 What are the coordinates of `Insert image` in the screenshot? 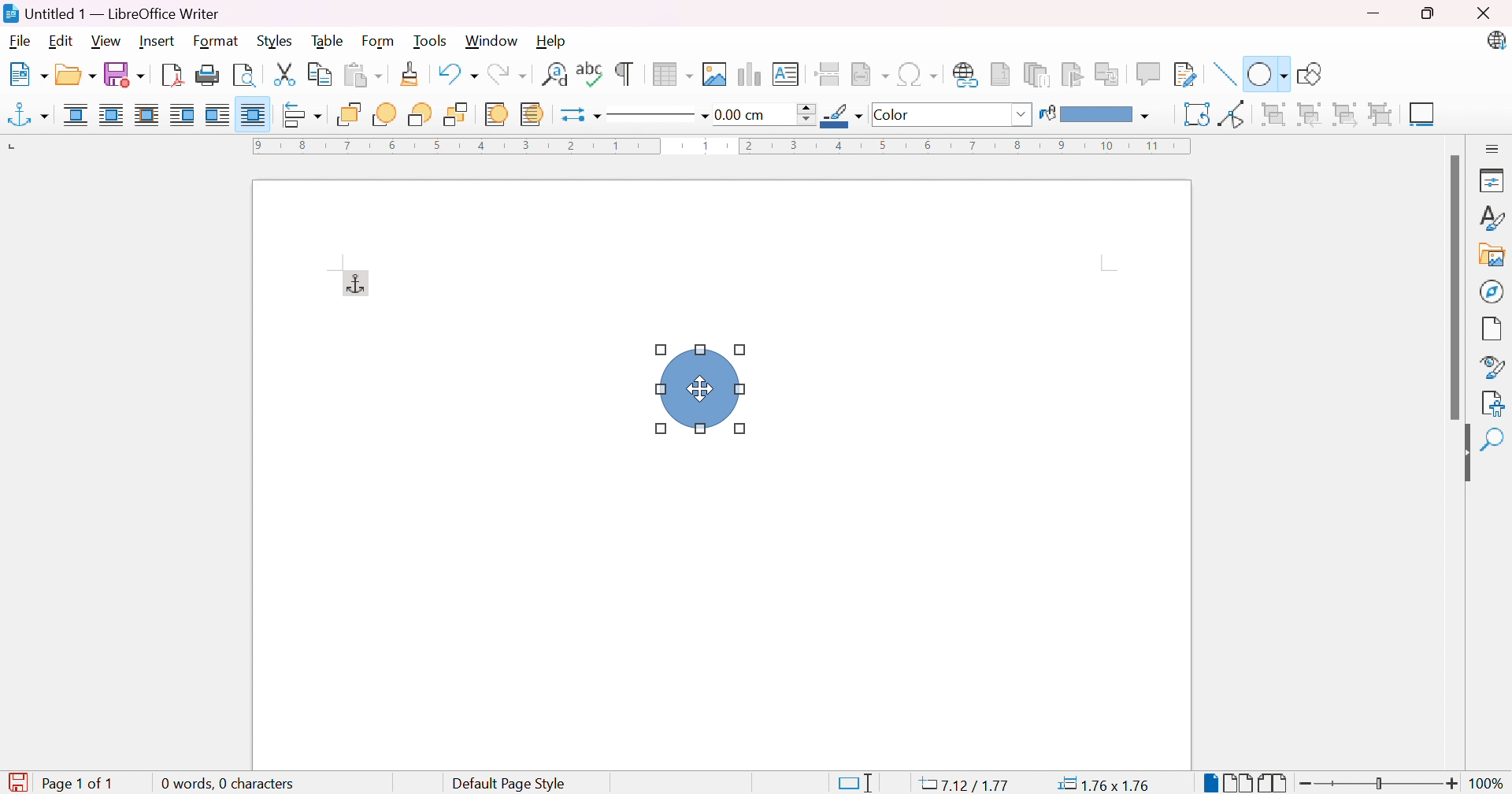 It's located at (713, 75).